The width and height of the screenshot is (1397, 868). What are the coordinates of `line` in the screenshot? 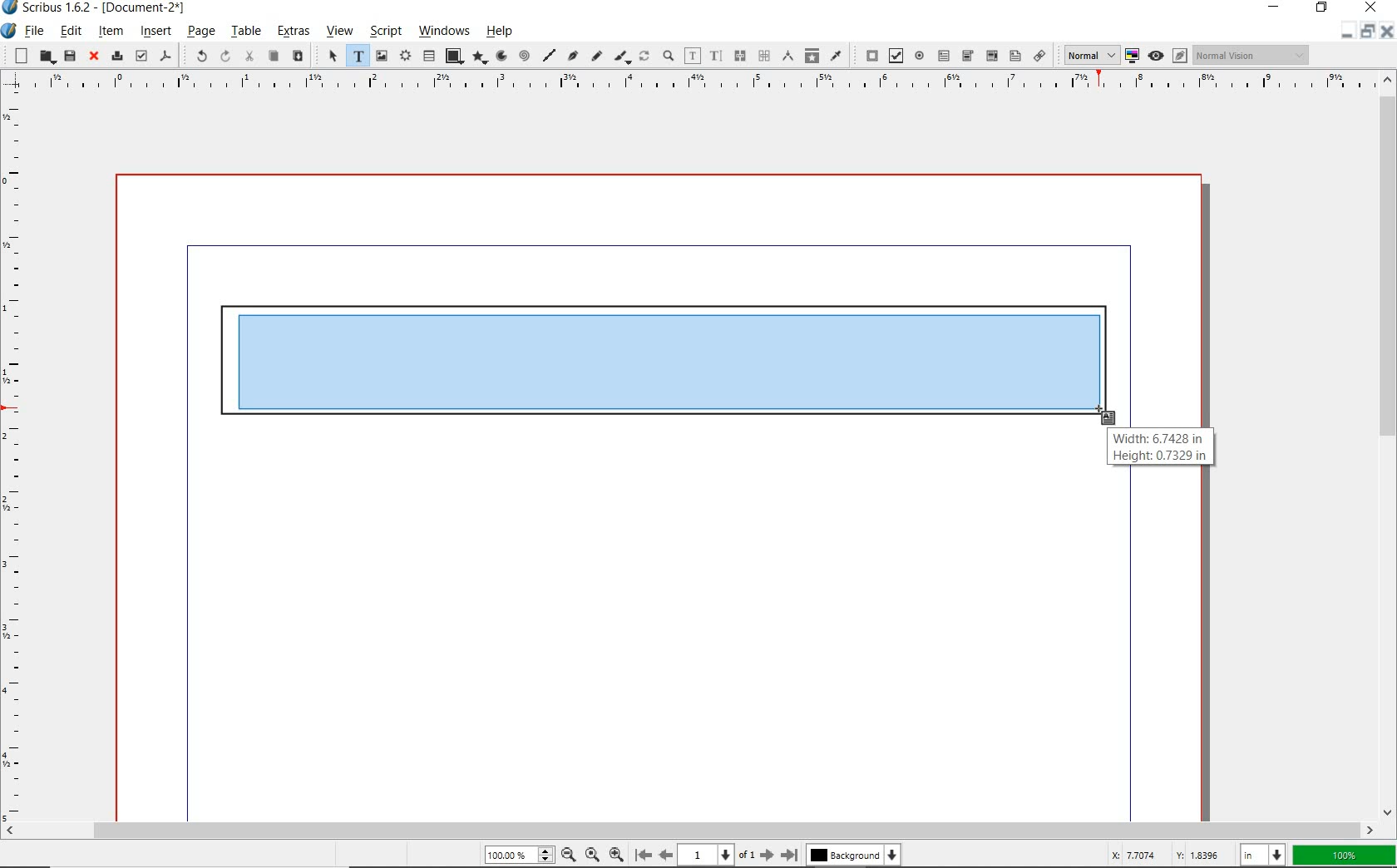 It's located at (550, 55).